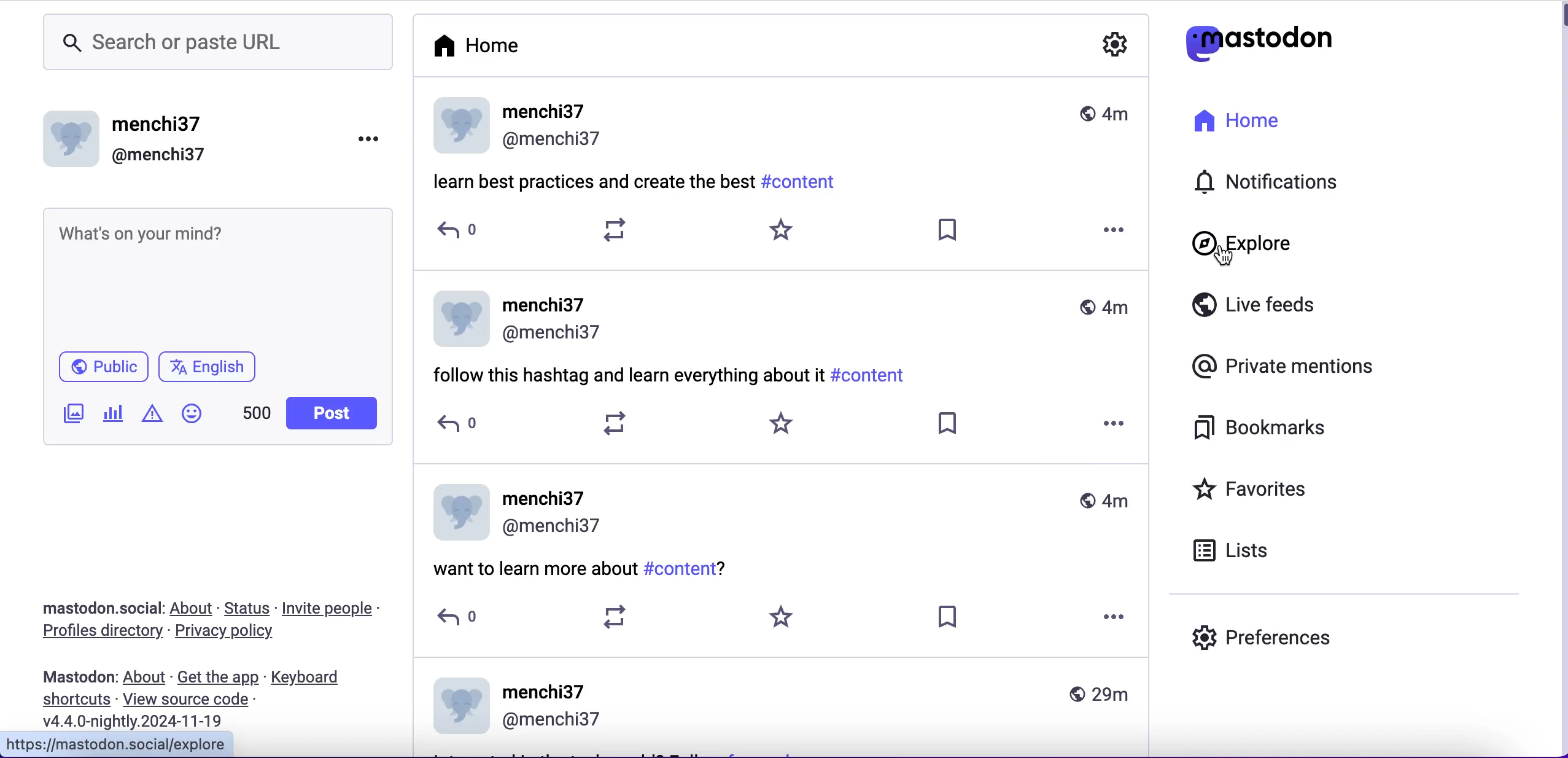 The width and height of the screenshot is (1568, 758). I want to click on public, so click(102, 365).